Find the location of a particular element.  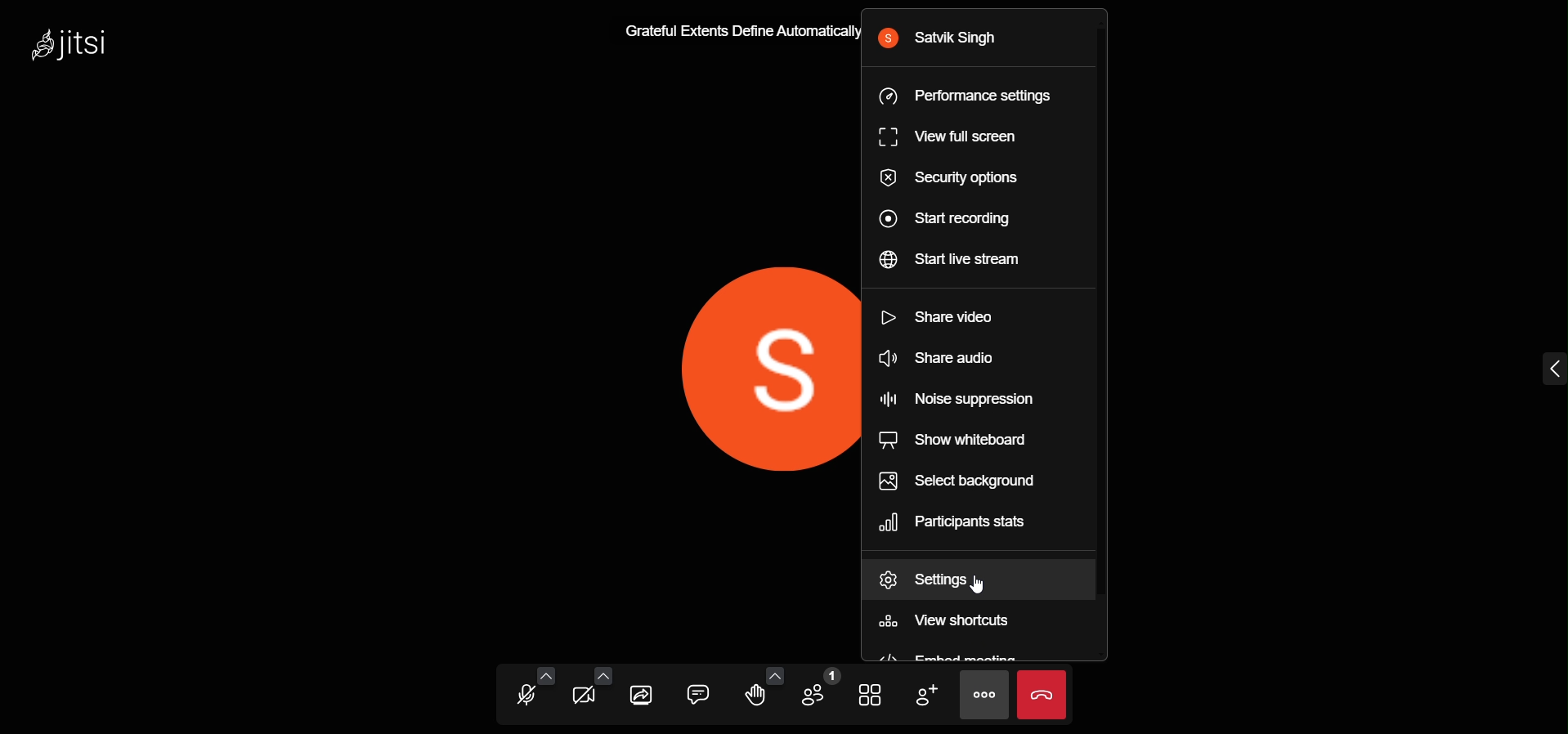

video setting is located at coordinates (605, 672).